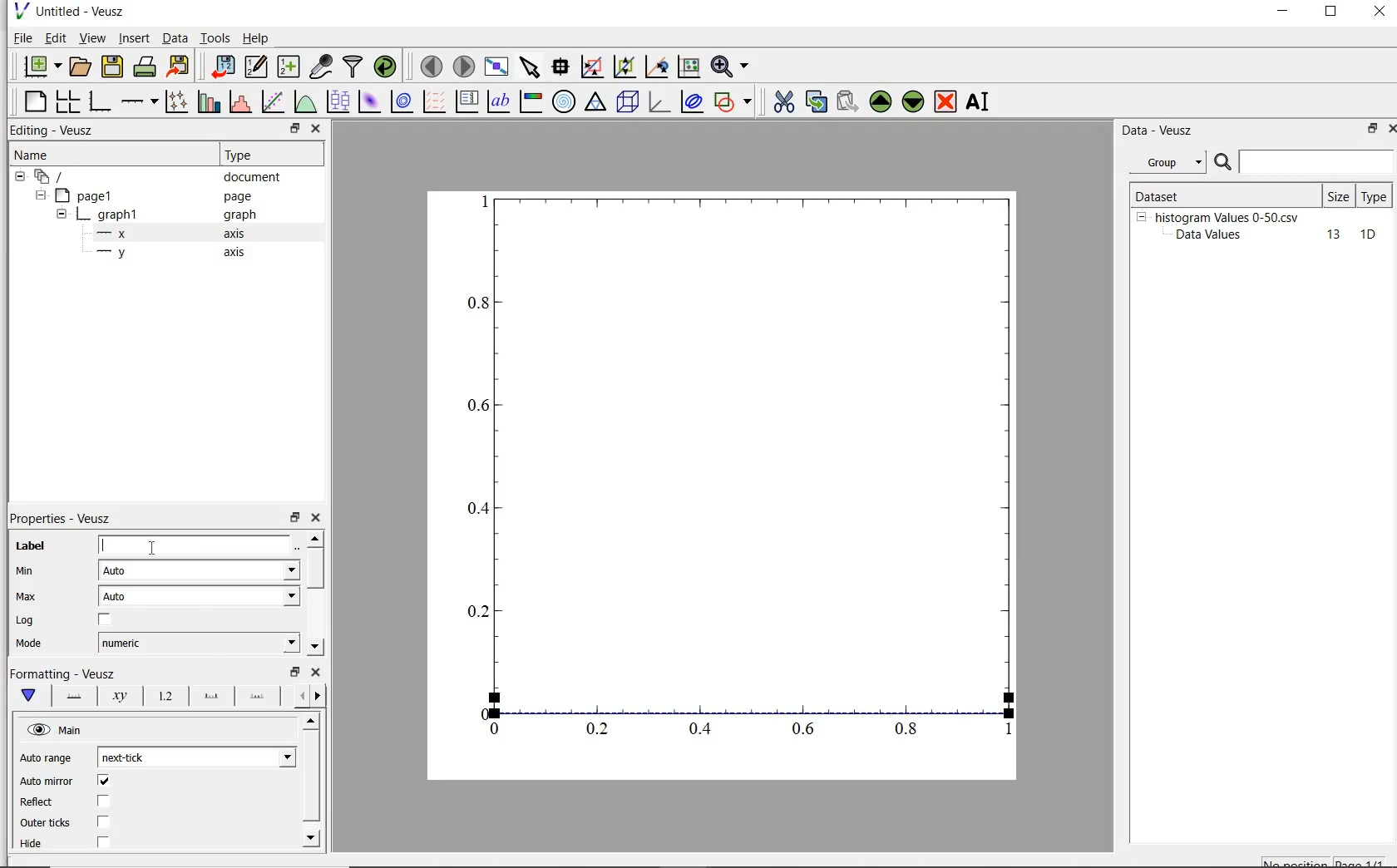 The height and width of the screenshot is (868, 1397). What do you see at coordinates (465, 66) in the screenshot?
I see `move to next page` at bounding box center [465, 66].